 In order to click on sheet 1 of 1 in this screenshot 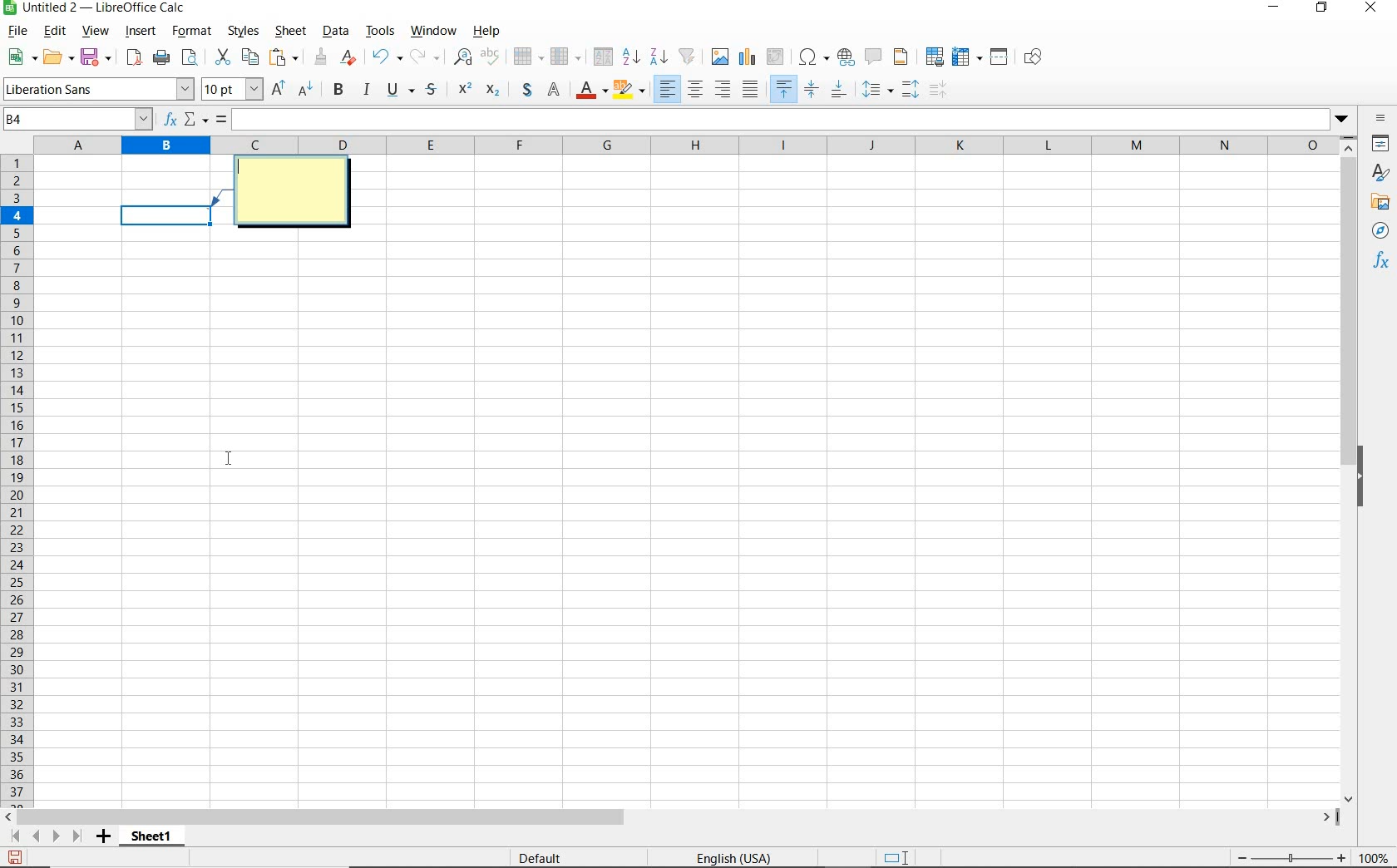, I will do `click(67, 861)`.